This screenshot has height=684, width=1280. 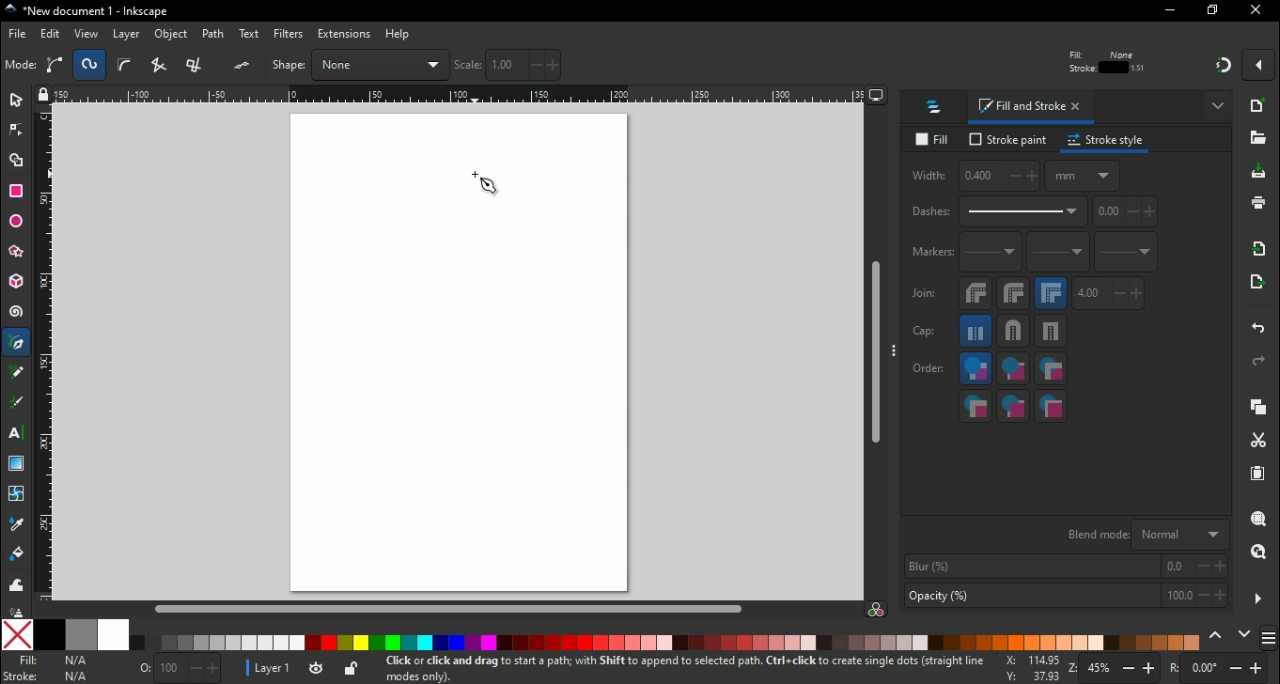 I want to click on rectangle tool, so click(x=18, y=191).